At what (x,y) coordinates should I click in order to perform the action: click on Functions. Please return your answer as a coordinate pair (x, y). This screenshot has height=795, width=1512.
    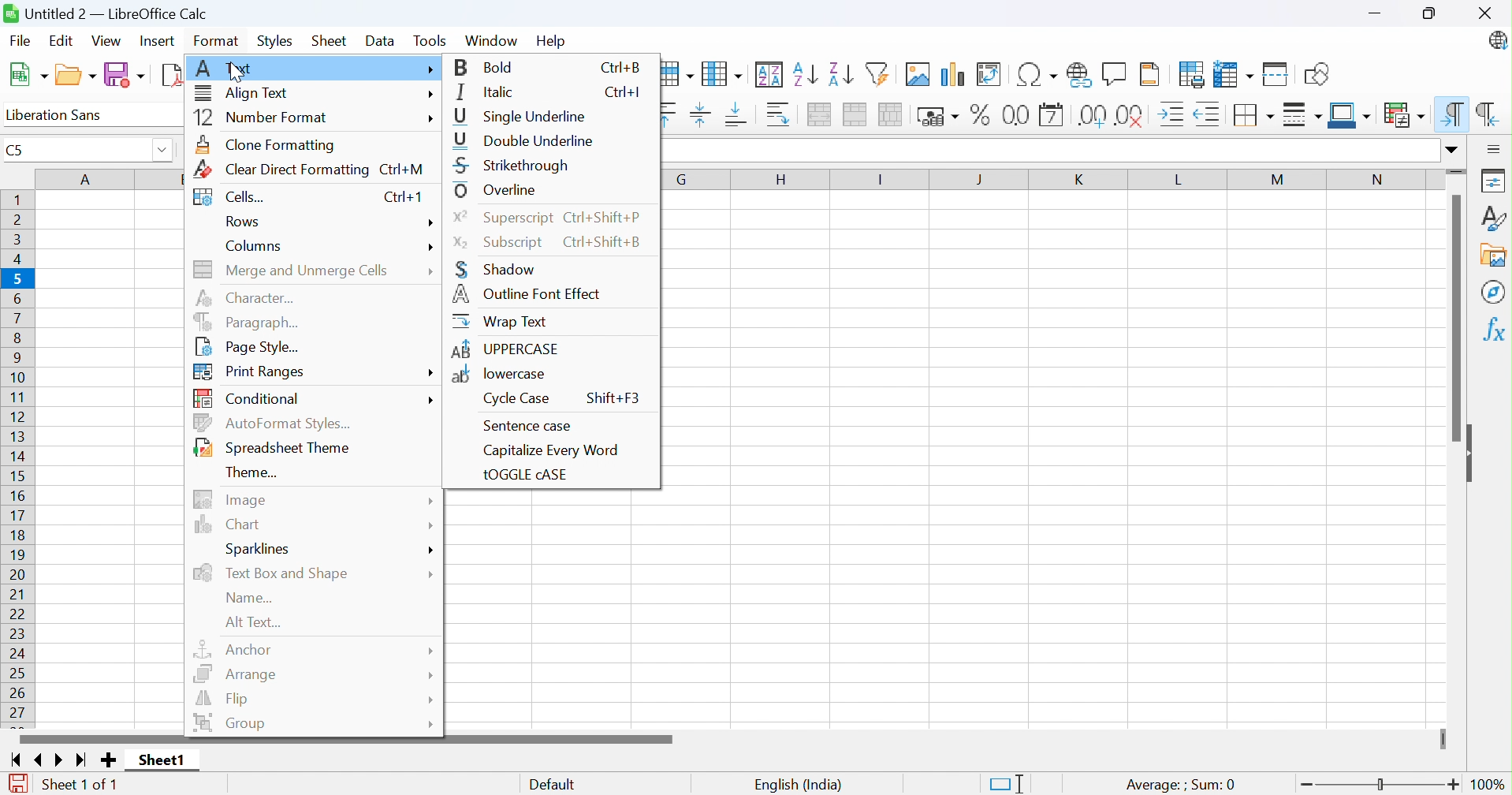
    Looking at the image, I should click on (1495, 327).